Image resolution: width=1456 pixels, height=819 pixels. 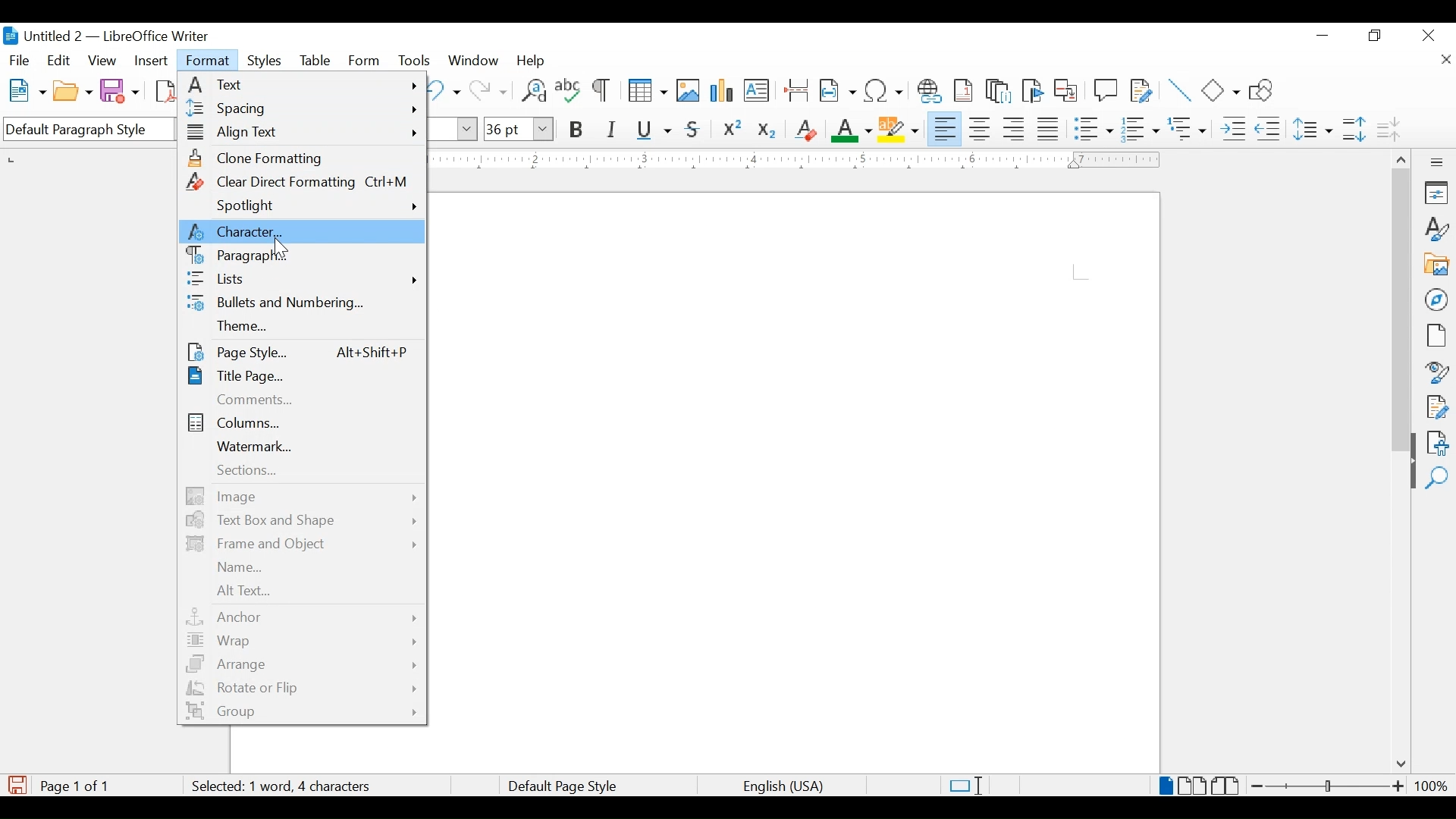 I want to click on wrap menu, so click(x=304, y=641).